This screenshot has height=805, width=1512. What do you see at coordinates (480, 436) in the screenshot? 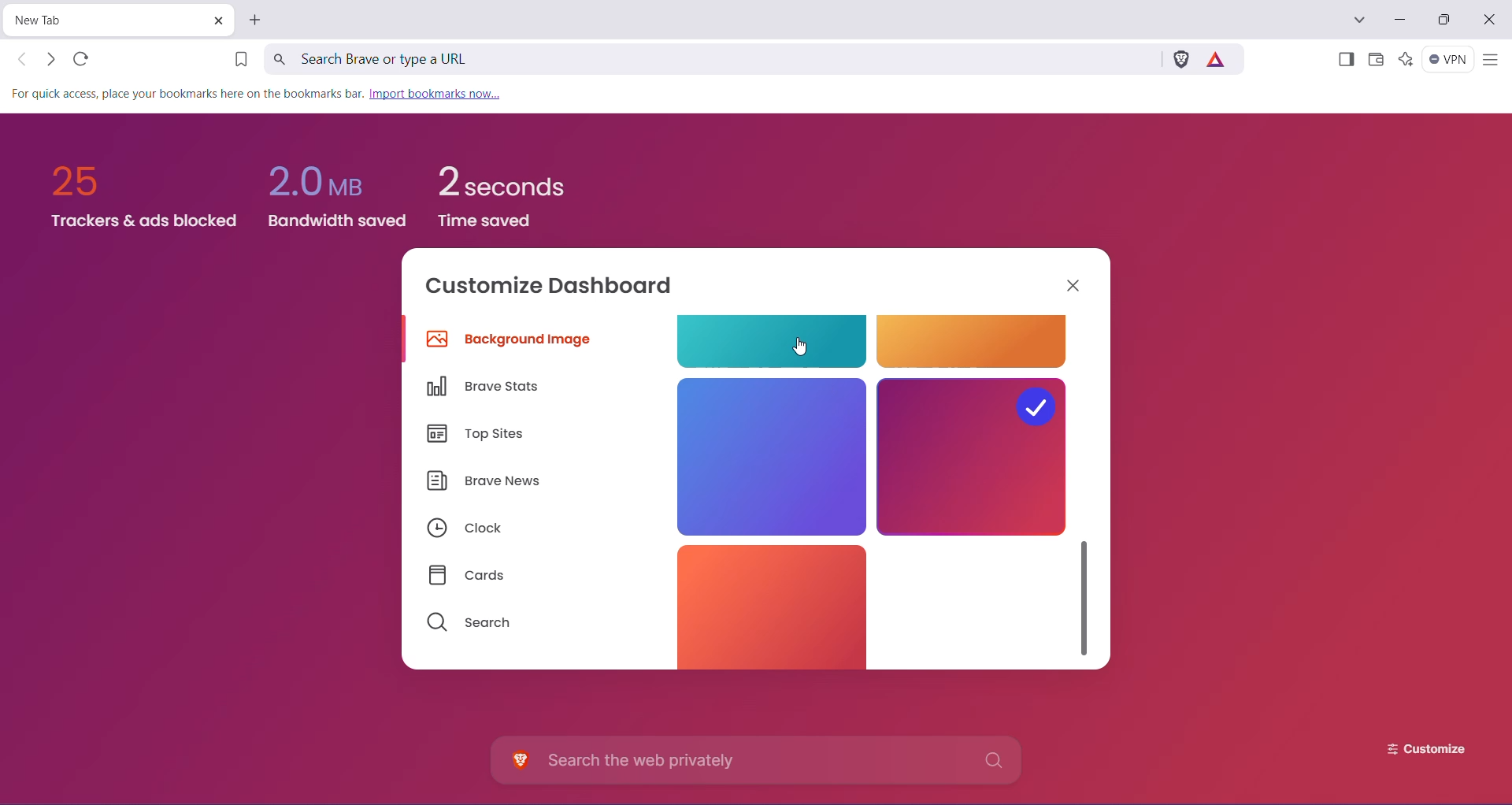
I see `Top Sites` at bounding box center [480, 436].